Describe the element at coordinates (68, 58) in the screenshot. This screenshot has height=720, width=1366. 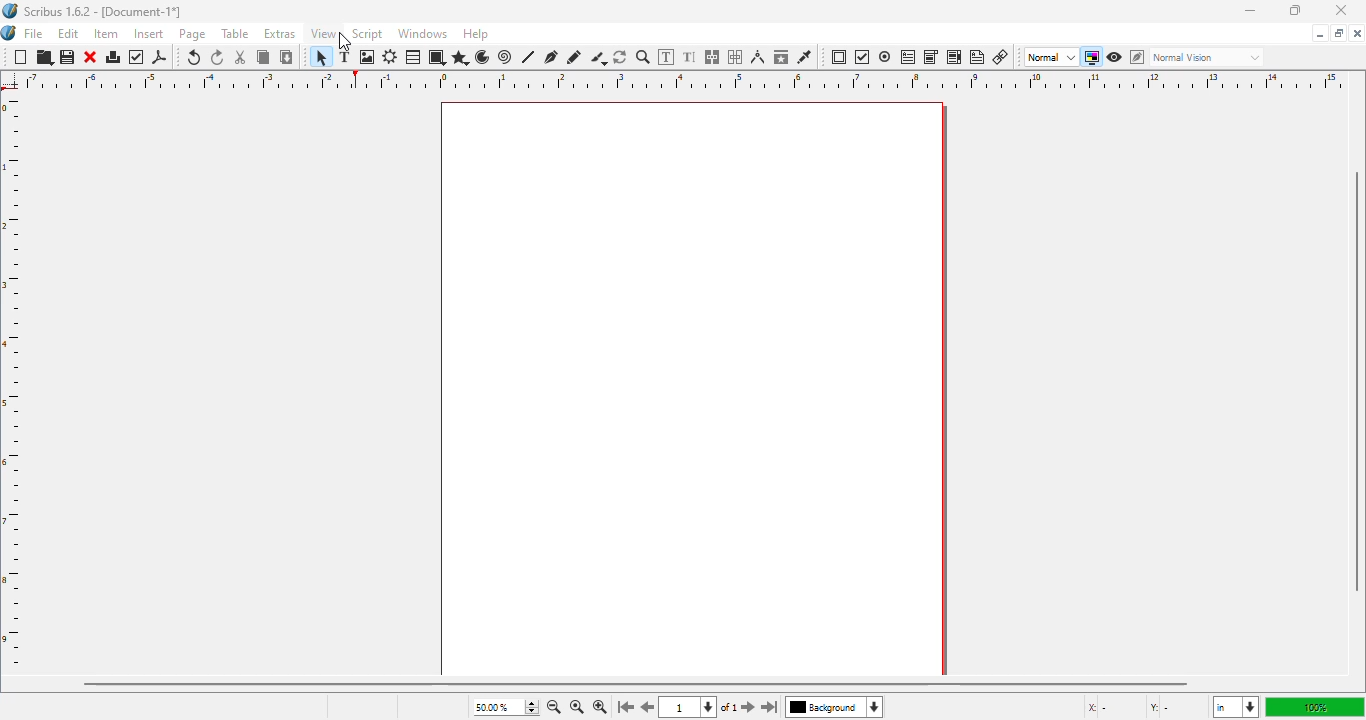
I see `save` at that location.